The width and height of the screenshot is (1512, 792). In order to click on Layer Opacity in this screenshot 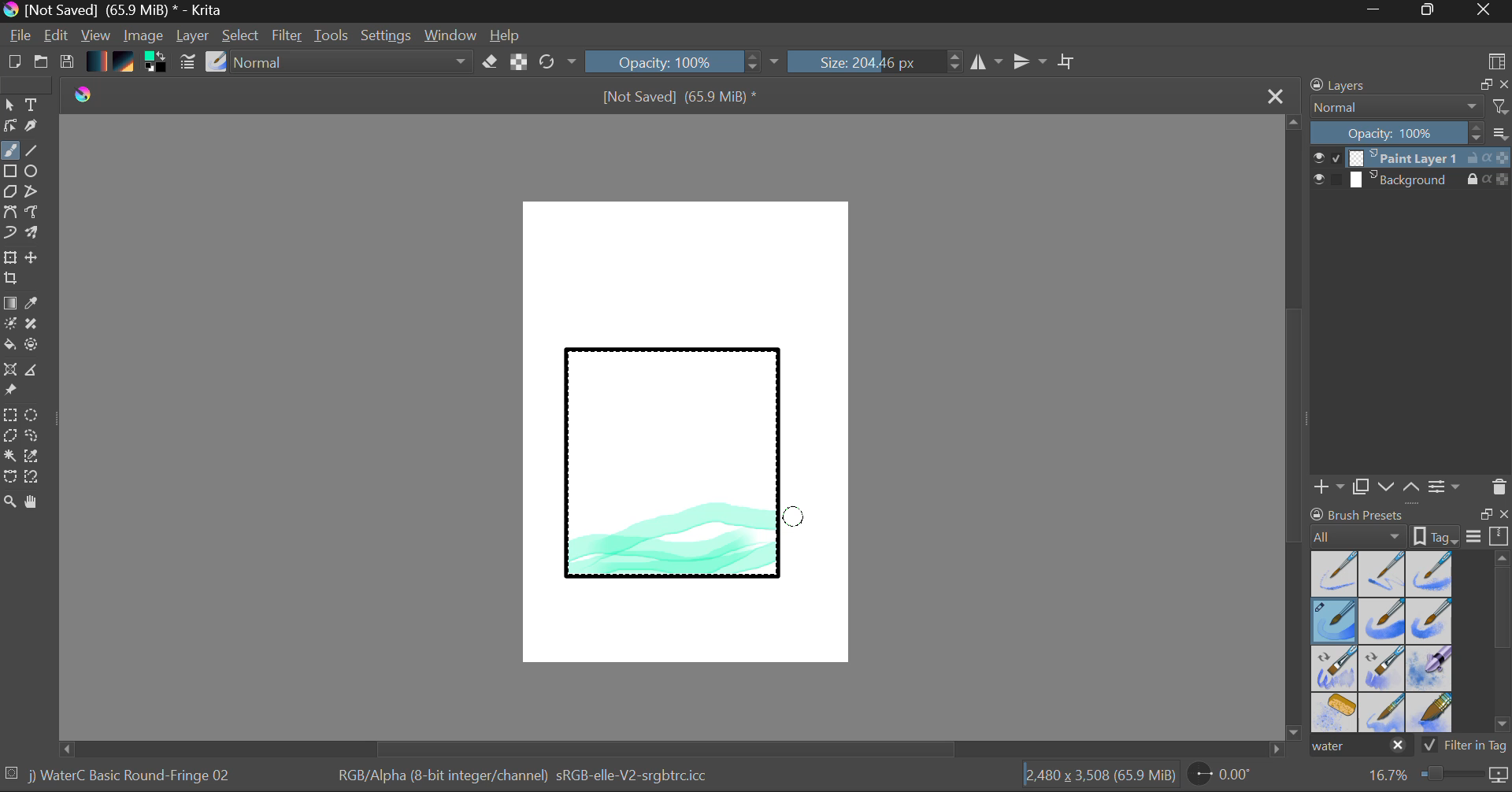, I will do `click(1412, 134)`.